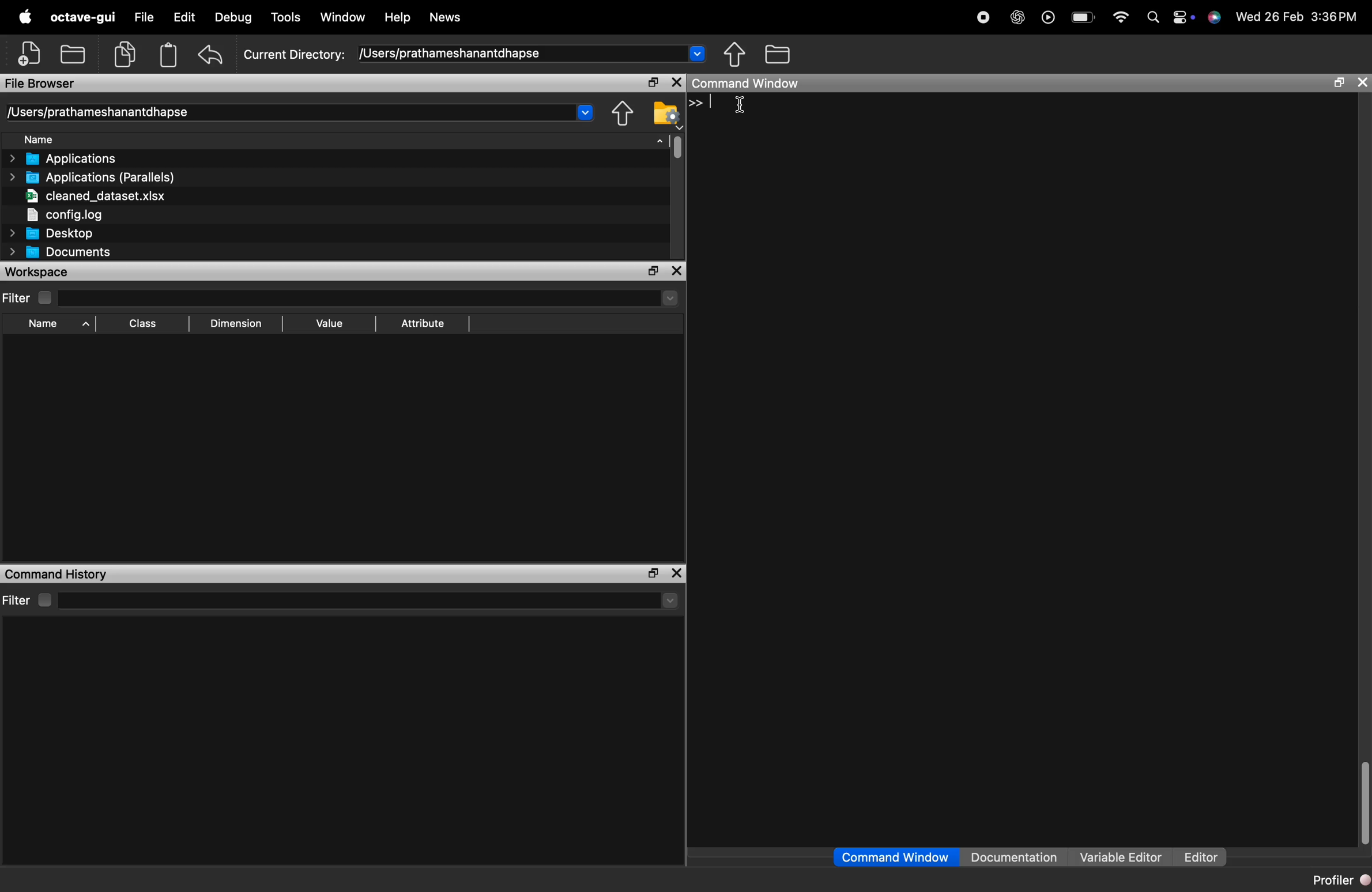  Describe the element at coordinates (654, 271) in the screenshot. I see `maximize` at that location.